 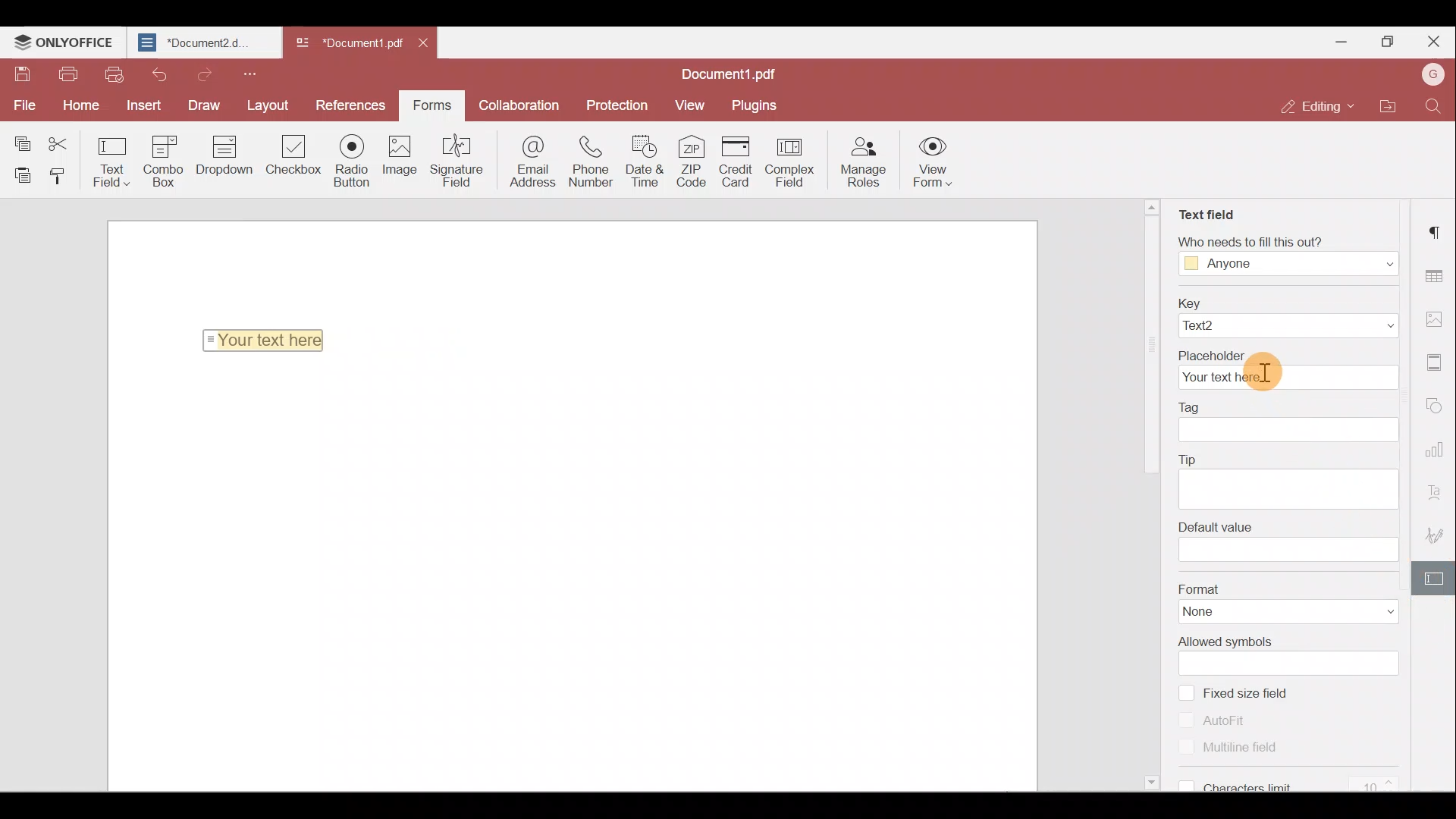 What do you see at coordinates (1154, 498) in the screenshot?
I see `Scroll bar` at bounding box center [1154, 498].